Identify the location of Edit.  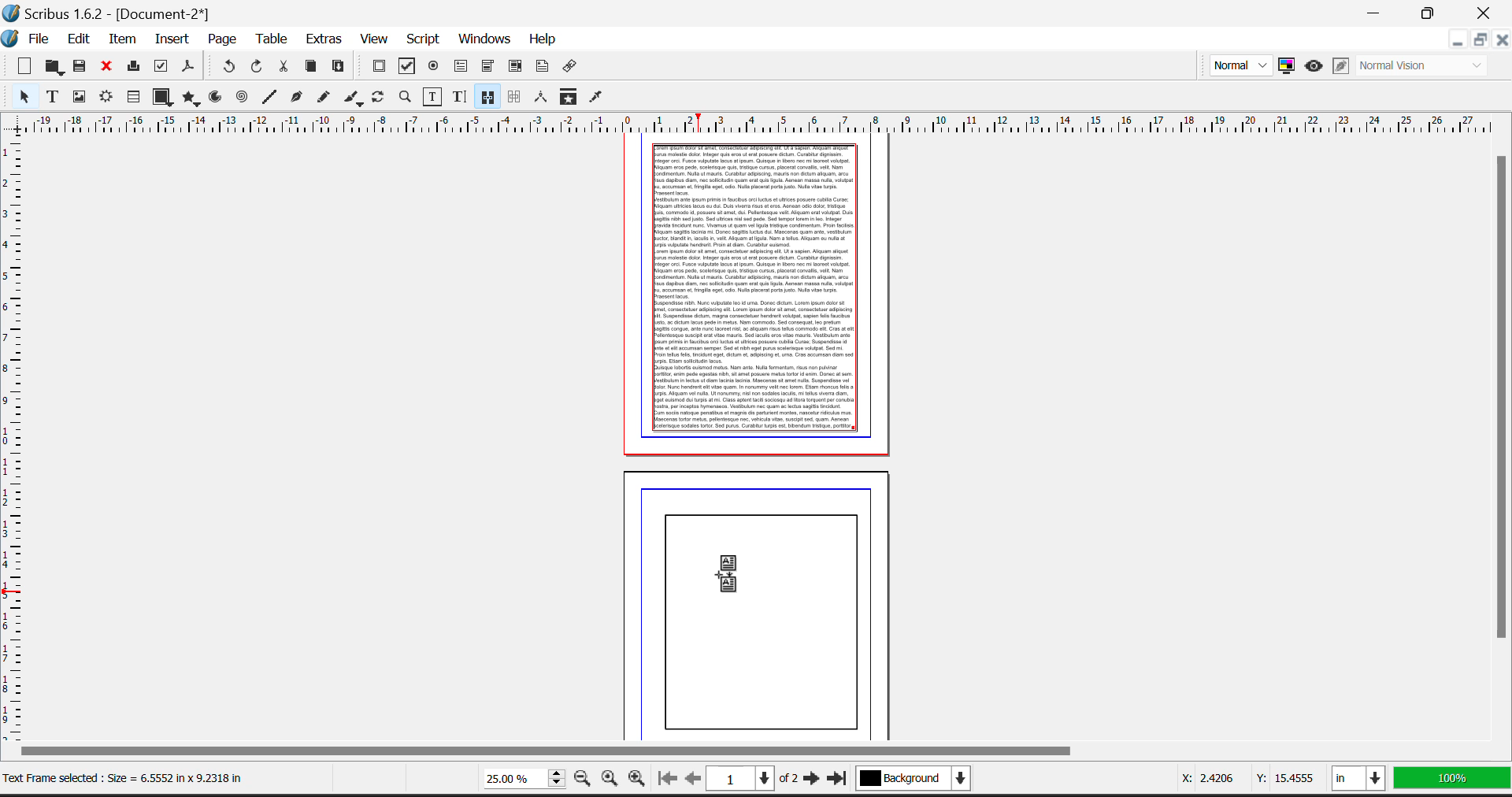
(79, 39).